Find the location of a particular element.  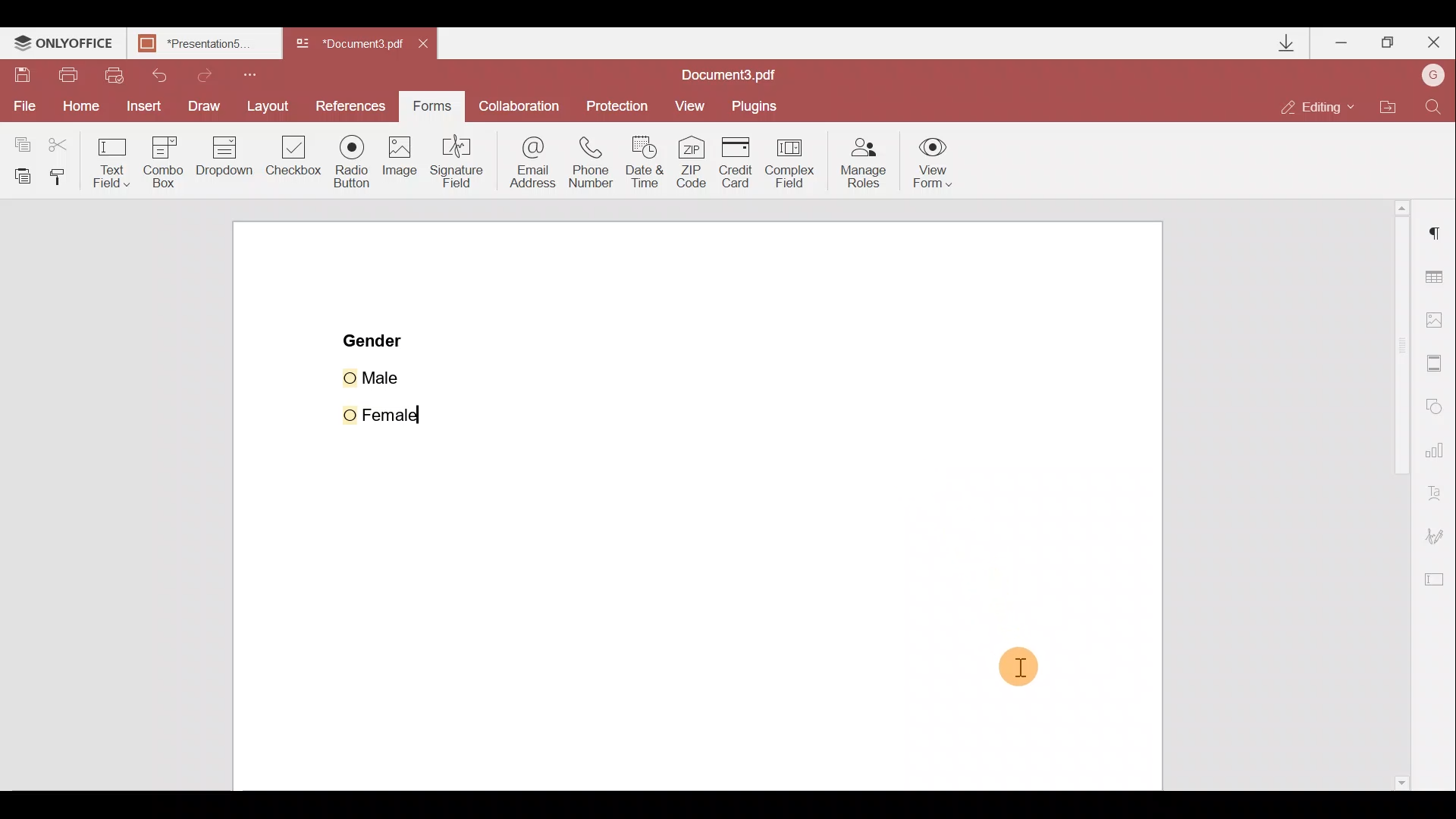

Complex field is located at coordinates (795, 160).